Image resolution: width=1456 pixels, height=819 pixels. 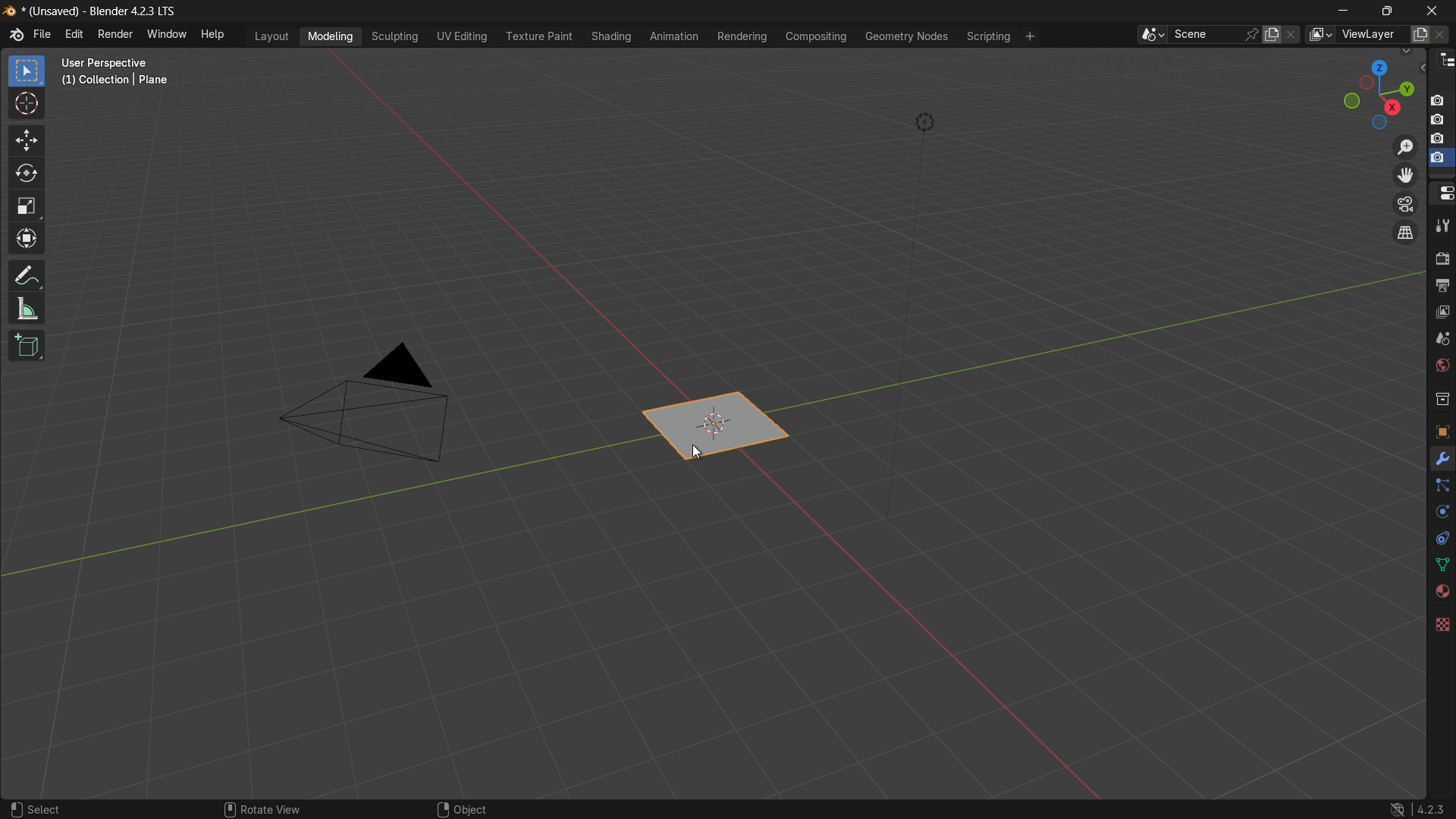 I want to click on compositing, so click(x=815, y=37).